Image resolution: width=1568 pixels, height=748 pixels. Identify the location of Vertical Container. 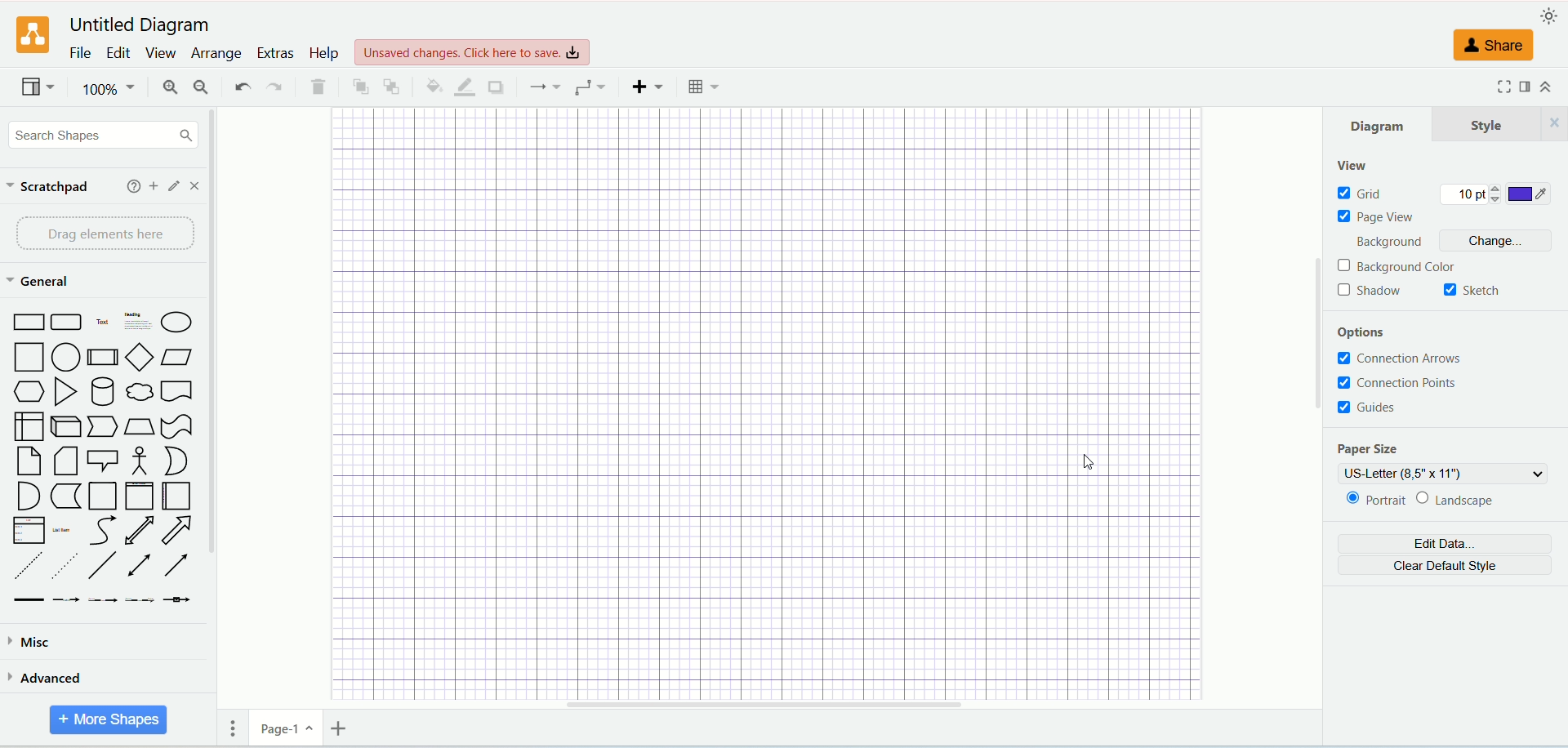
(142, 496).